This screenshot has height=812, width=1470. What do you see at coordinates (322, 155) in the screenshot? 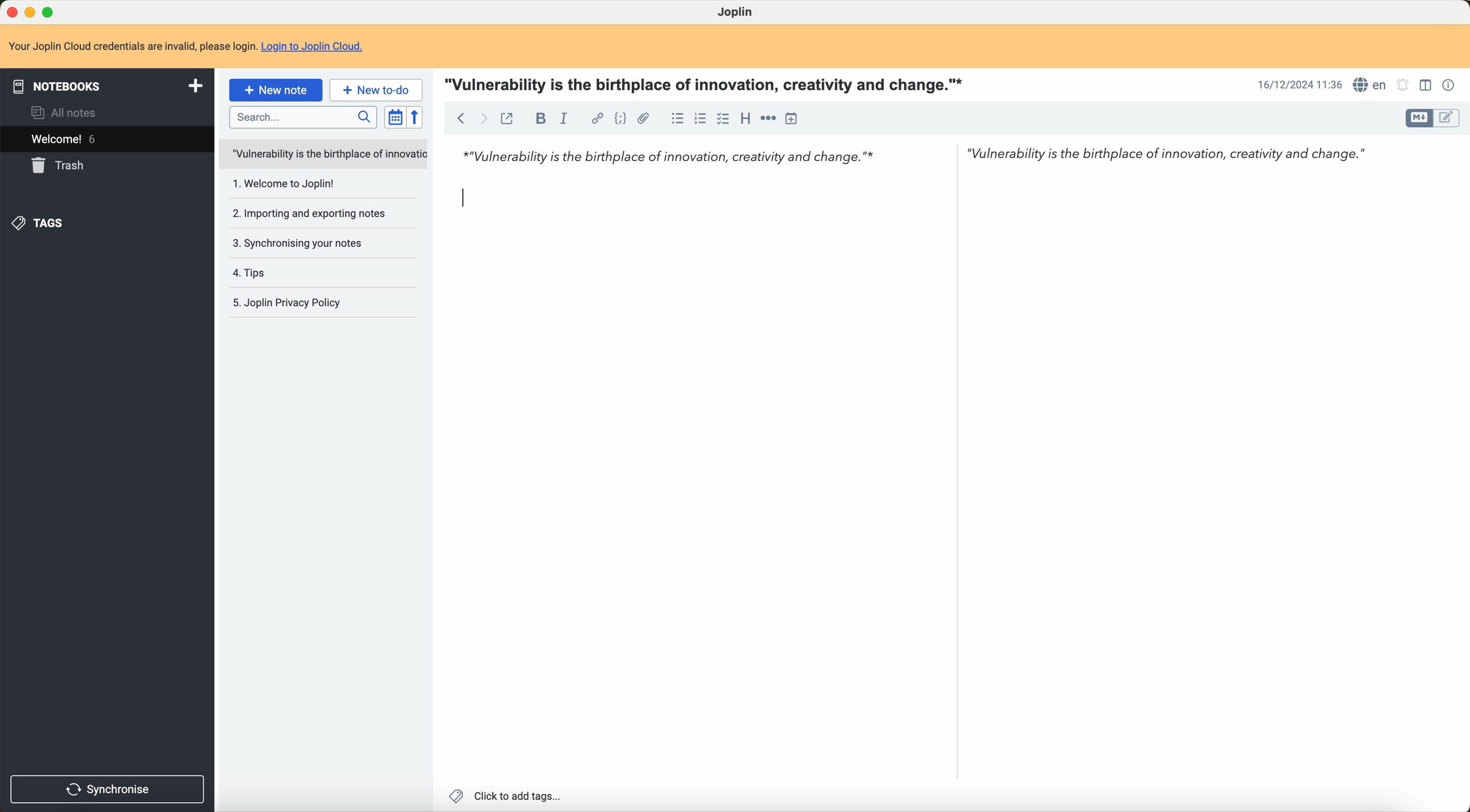
I see `untitled` at bounding box center [322, 155].